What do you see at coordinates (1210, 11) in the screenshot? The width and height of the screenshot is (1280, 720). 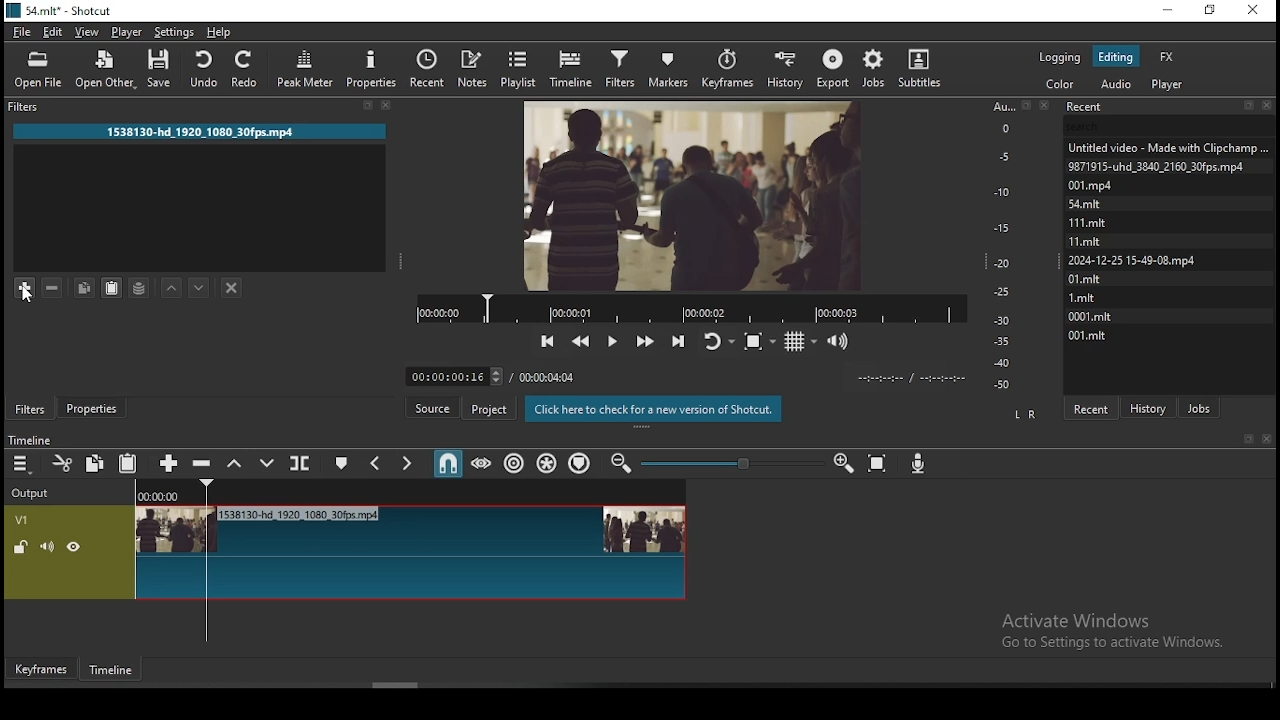 I see `restore` at bounding box center [1210, 11].